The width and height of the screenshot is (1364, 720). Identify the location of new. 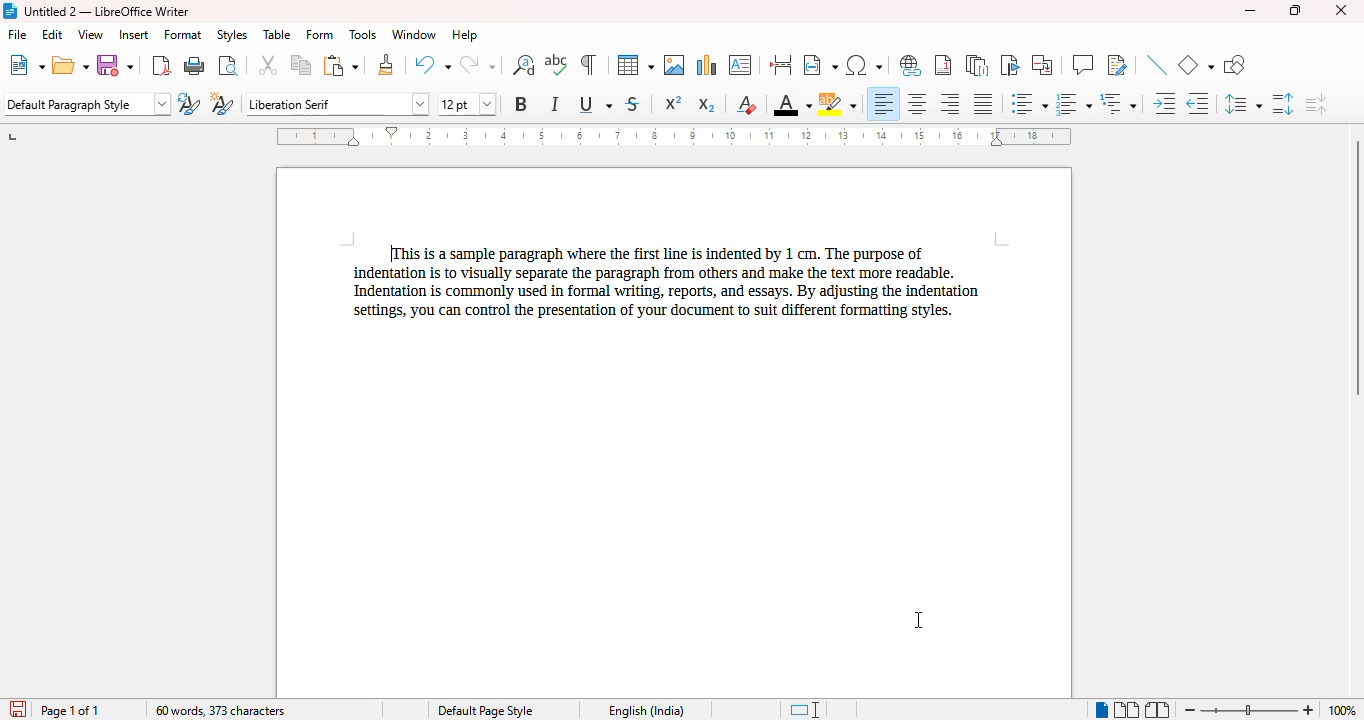
(26, 64).